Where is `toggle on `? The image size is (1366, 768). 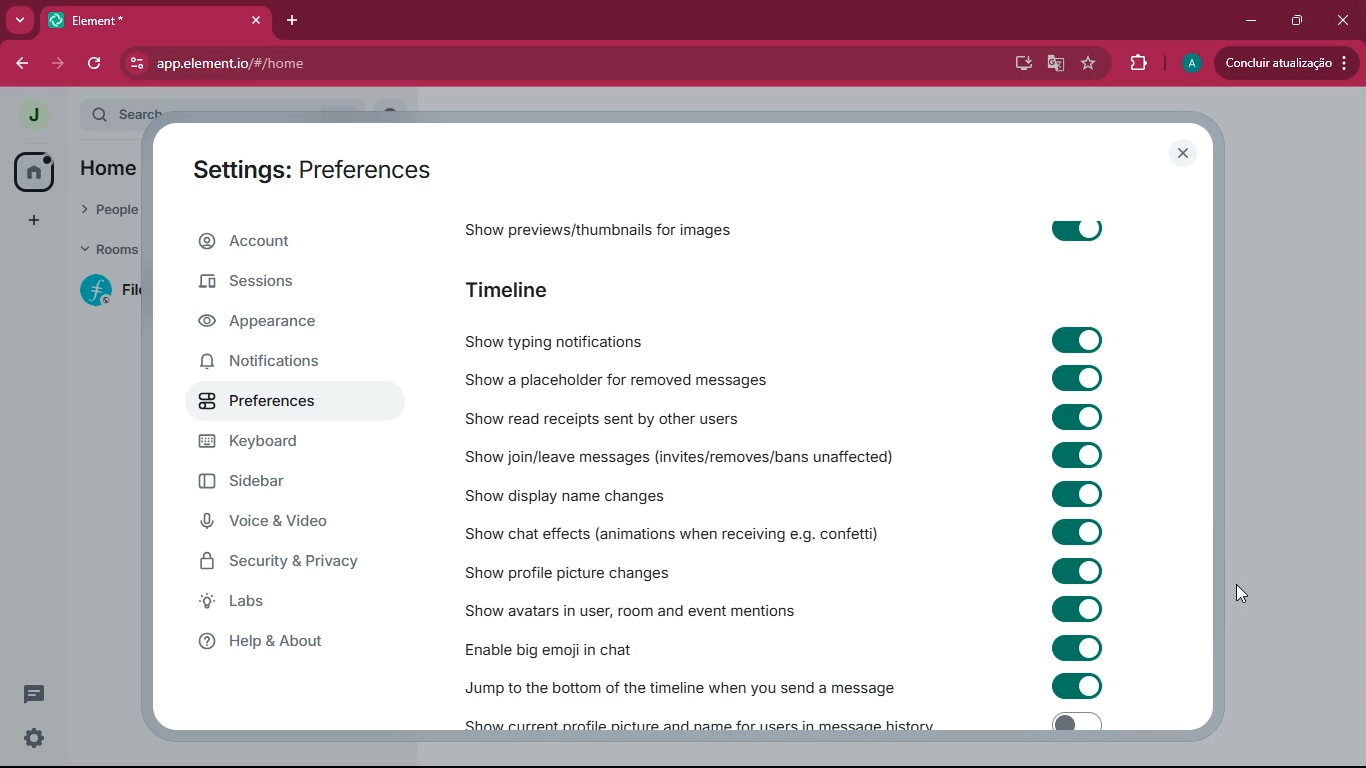 toggle on  is located at coordinates (1079, 532).